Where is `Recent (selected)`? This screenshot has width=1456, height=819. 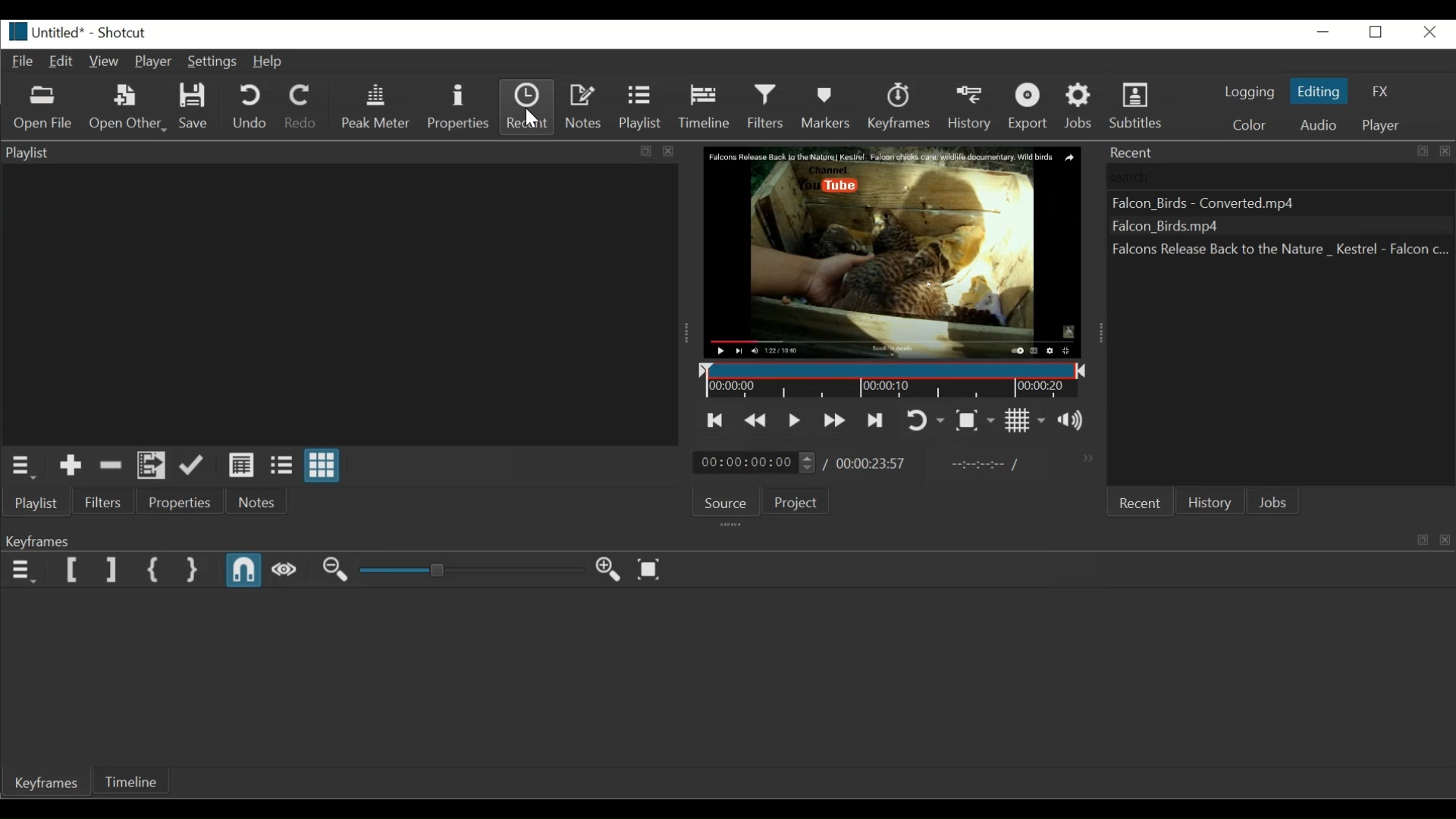
Recent (selected) is located at coordinates (529, 107).